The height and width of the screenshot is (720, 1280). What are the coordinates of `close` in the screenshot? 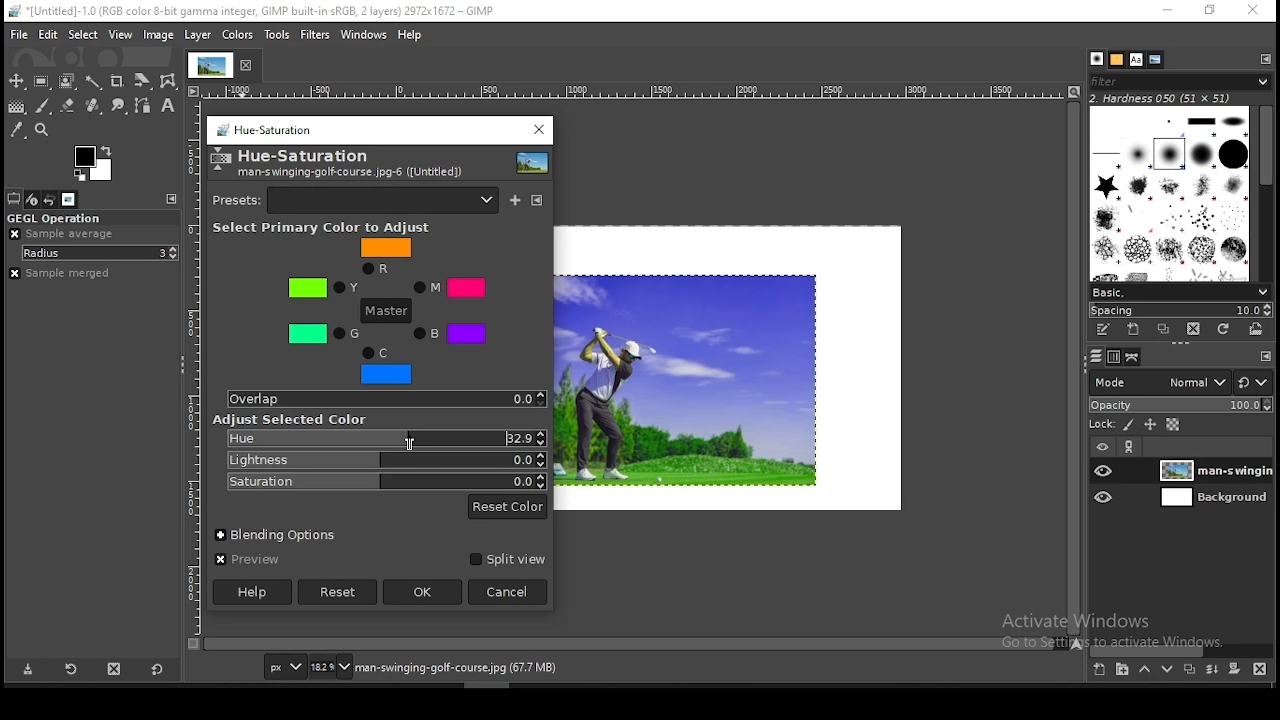 It's located at (249, 70).